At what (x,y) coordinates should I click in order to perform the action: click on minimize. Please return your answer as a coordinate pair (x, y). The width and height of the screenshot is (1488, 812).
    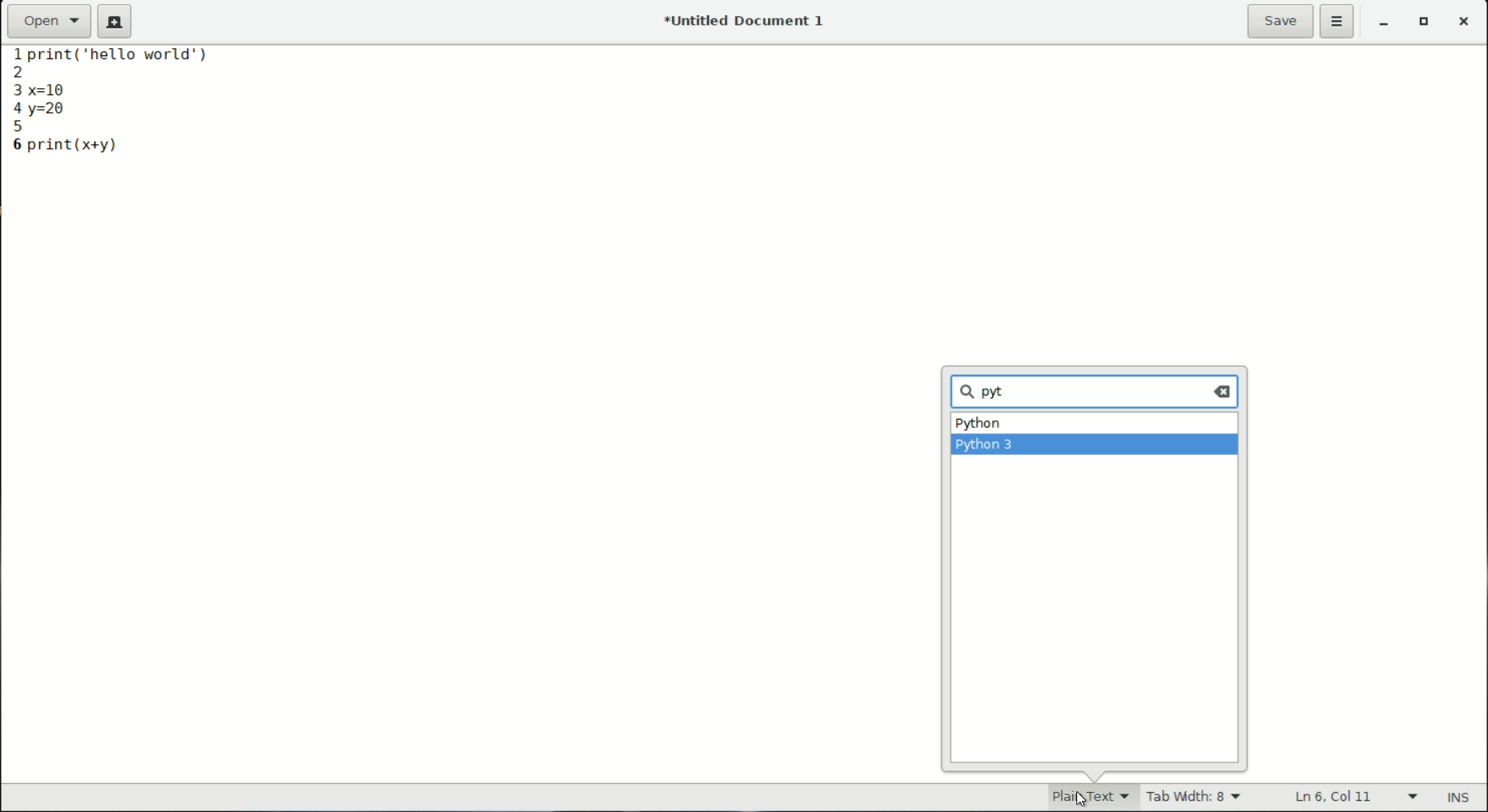
    Looking at the image, I should click on (1385, 24).